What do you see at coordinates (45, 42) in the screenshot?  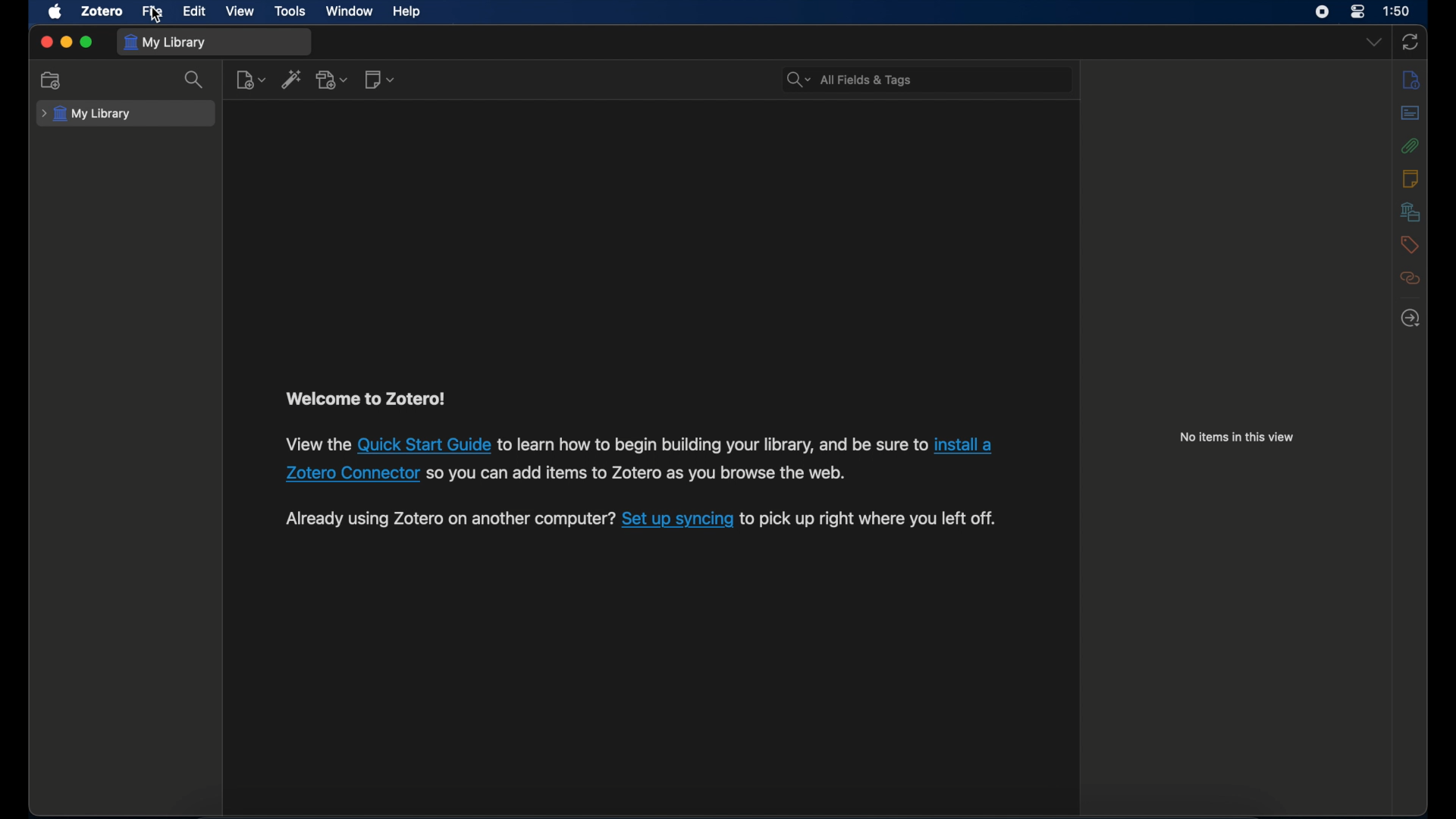 I see `close` at bounding box center [45, 42].